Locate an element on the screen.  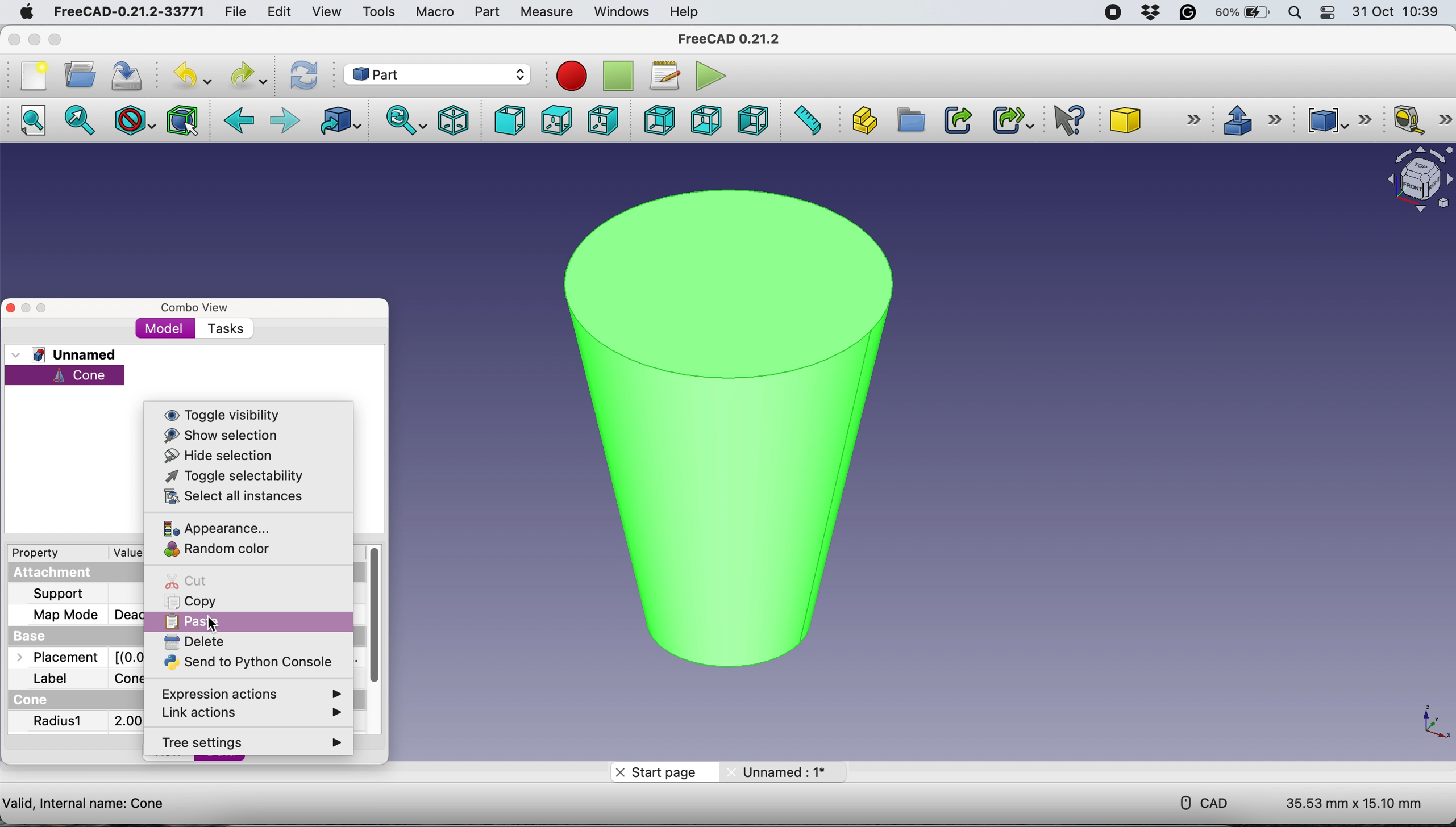
maximise is located at coordinates (76, 39).